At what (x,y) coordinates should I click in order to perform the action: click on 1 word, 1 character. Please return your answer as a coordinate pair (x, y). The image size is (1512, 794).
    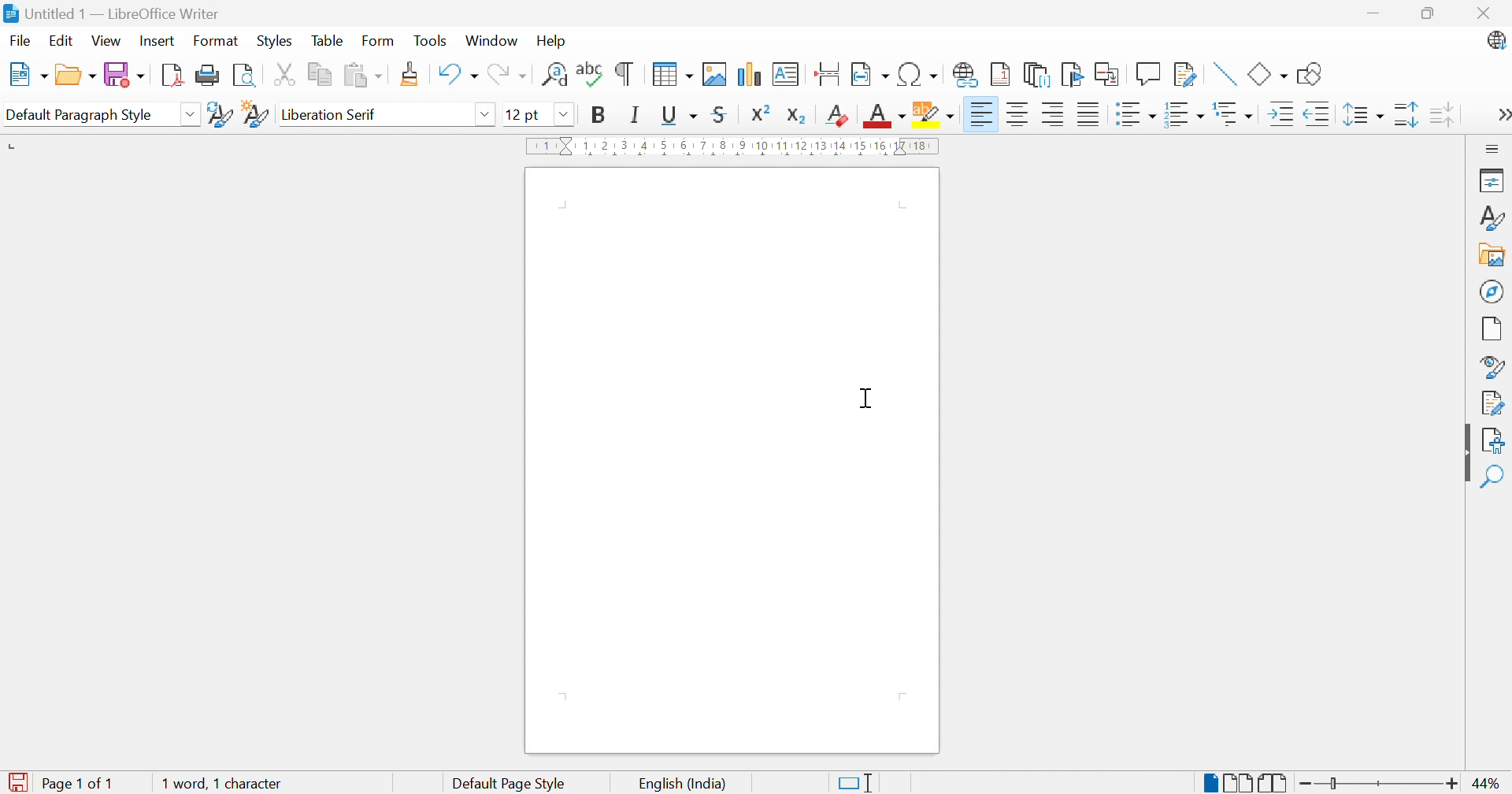
    Looking at the image, I should click on (223, 785).